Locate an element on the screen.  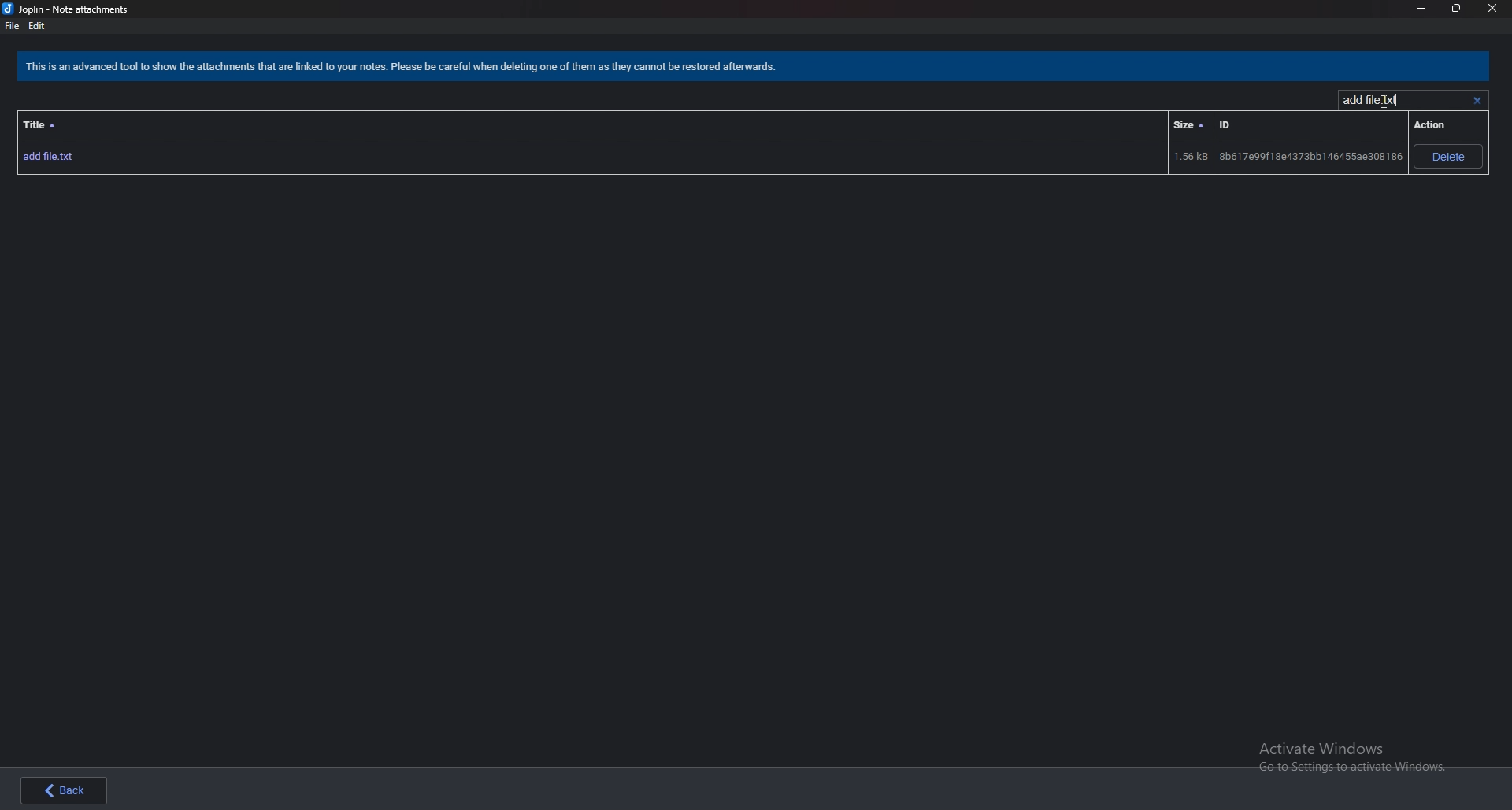
Warning is located at coordinates (406, 69).